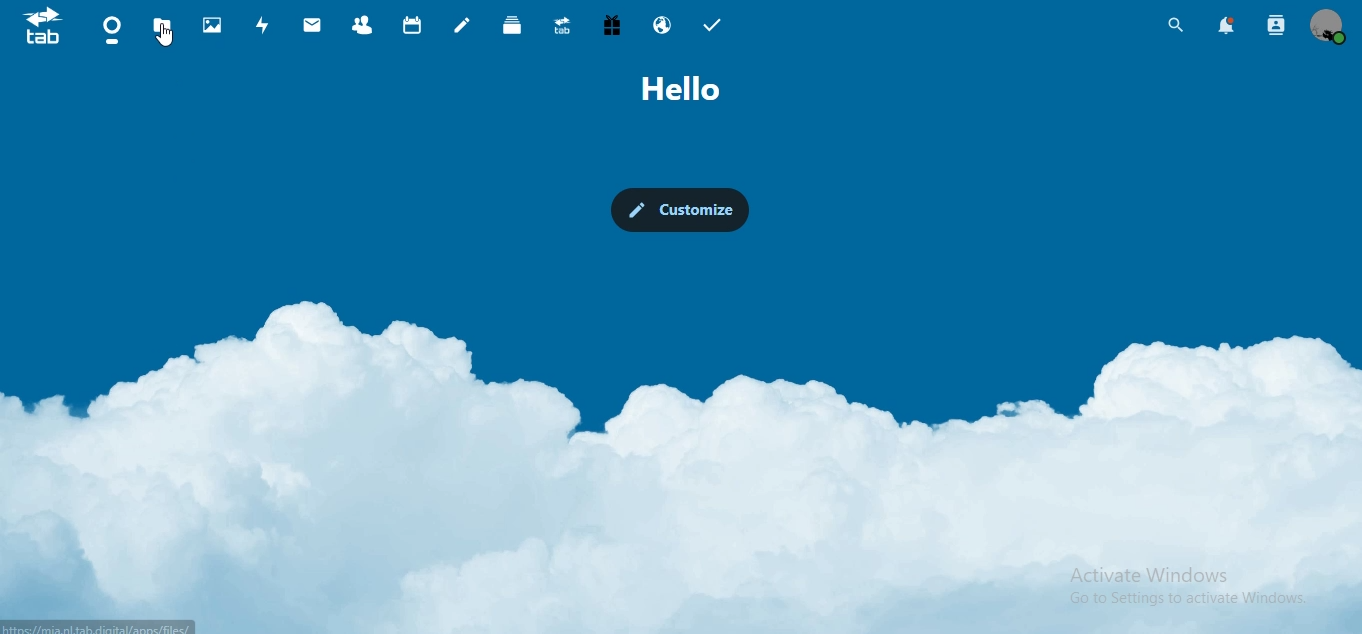 This screenshot has width=1362, height=634. Describe the element at coordinates (713, 24) in the screenshot. I see `tasks` at that location.